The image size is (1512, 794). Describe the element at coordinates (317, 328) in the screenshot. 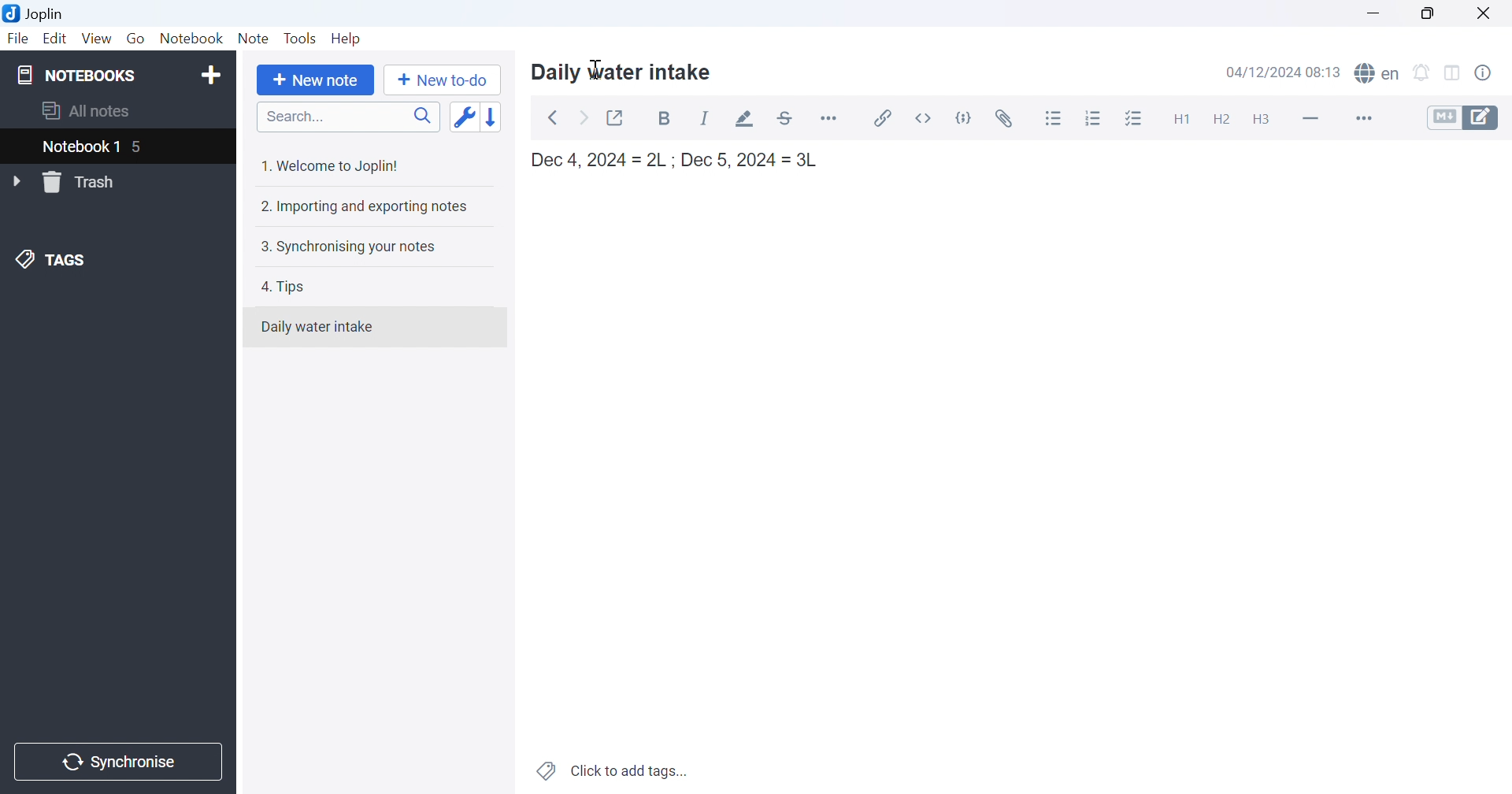

I see `Daily water intake` at that location.